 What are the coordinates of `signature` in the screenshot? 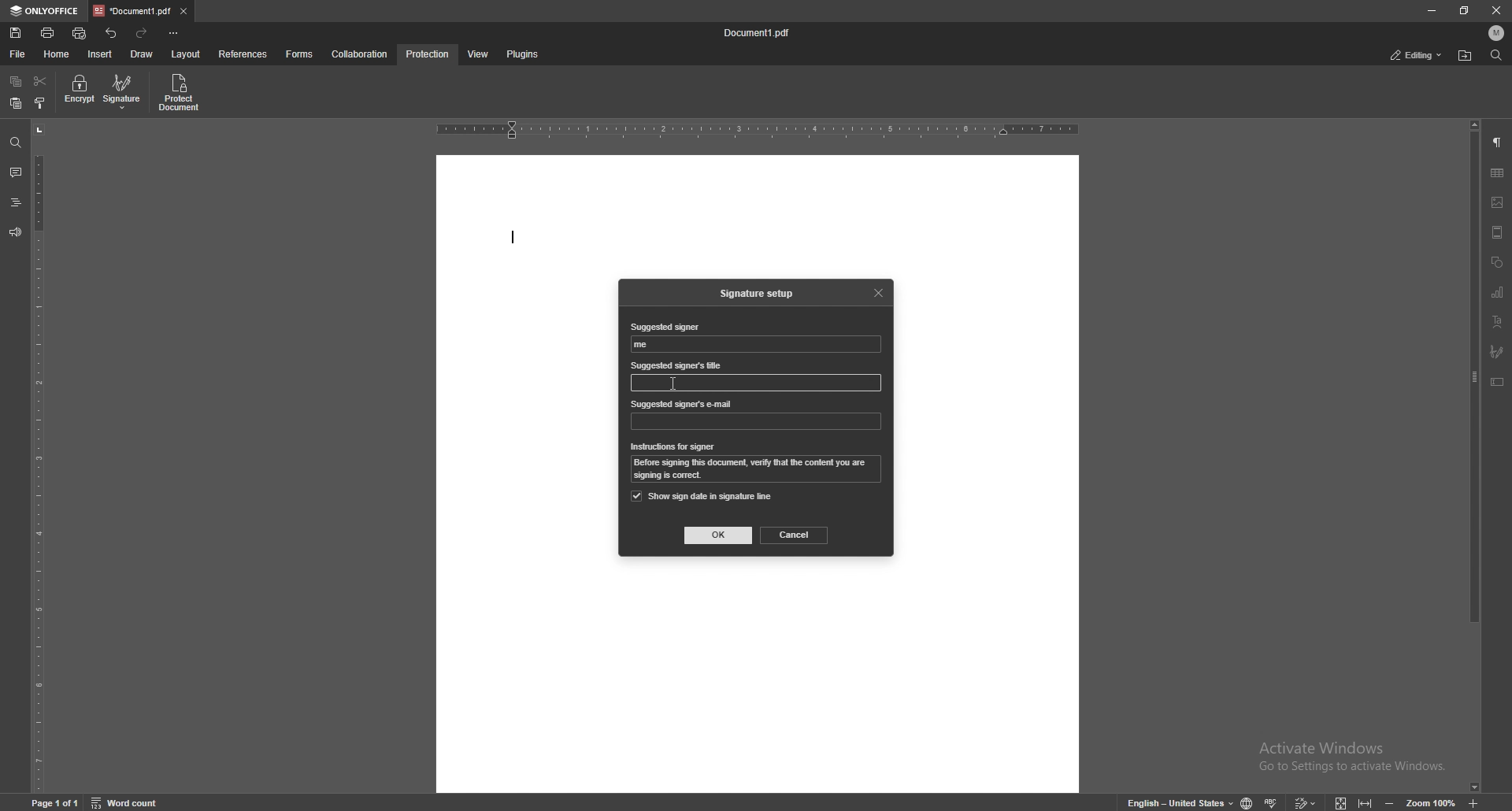 It's located at (124, 91).